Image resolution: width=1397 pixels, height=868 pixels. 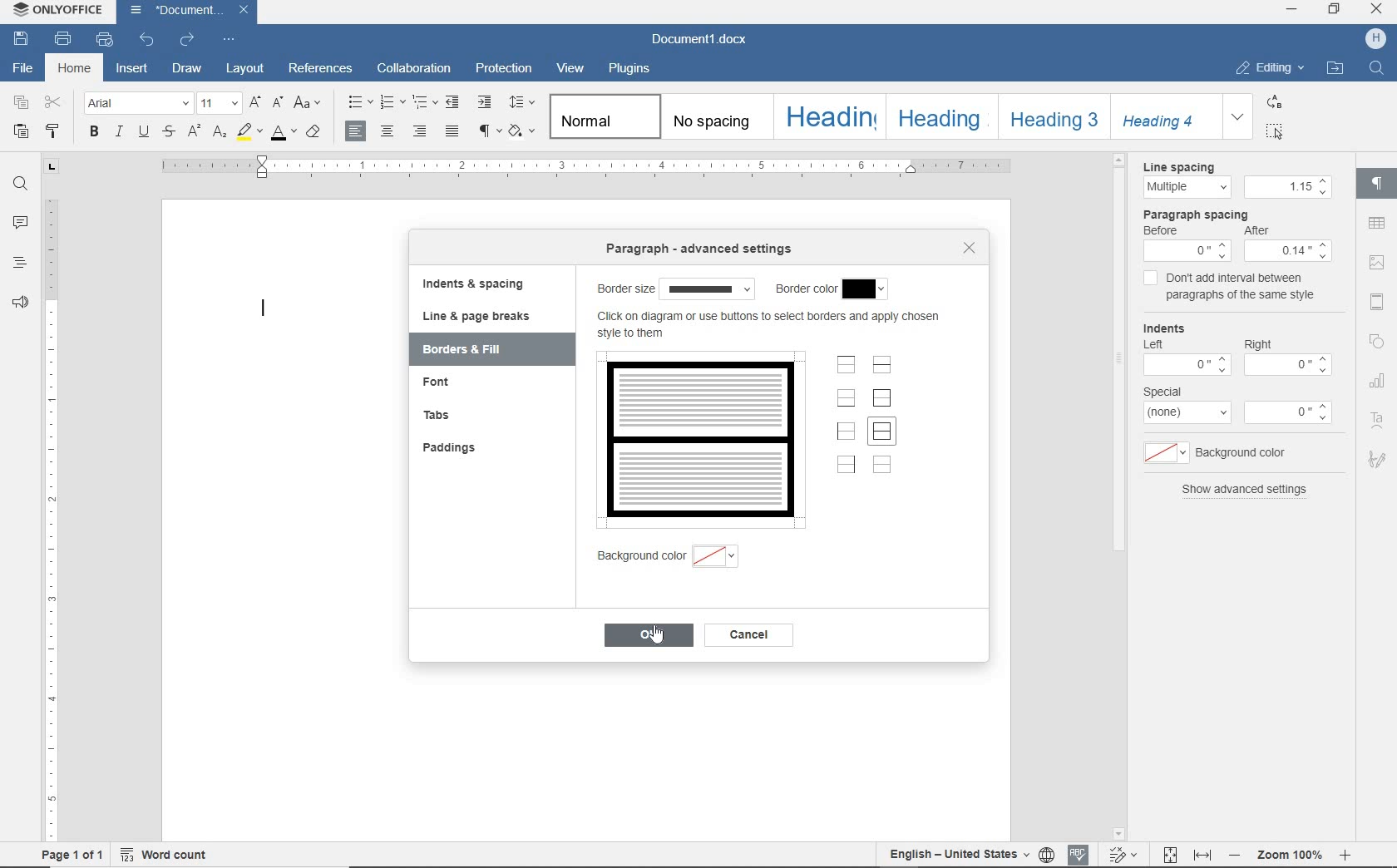 What do you see at coordinates (570, 68) in the screenshot?
I see `view` at bounding box center [570, 68].